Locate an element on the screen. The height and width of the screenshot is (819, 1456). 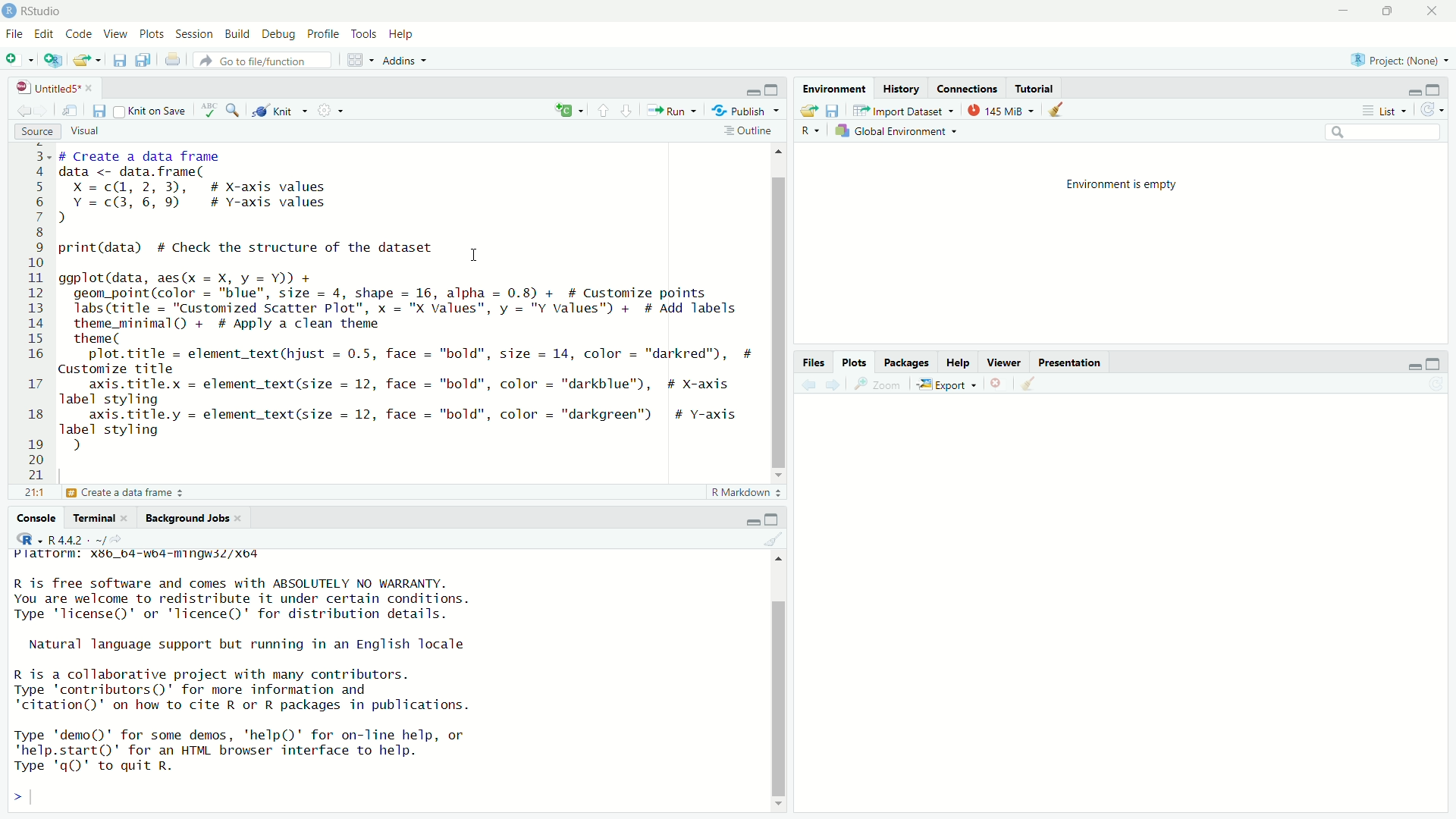
File is located at coordinates (13, 33).